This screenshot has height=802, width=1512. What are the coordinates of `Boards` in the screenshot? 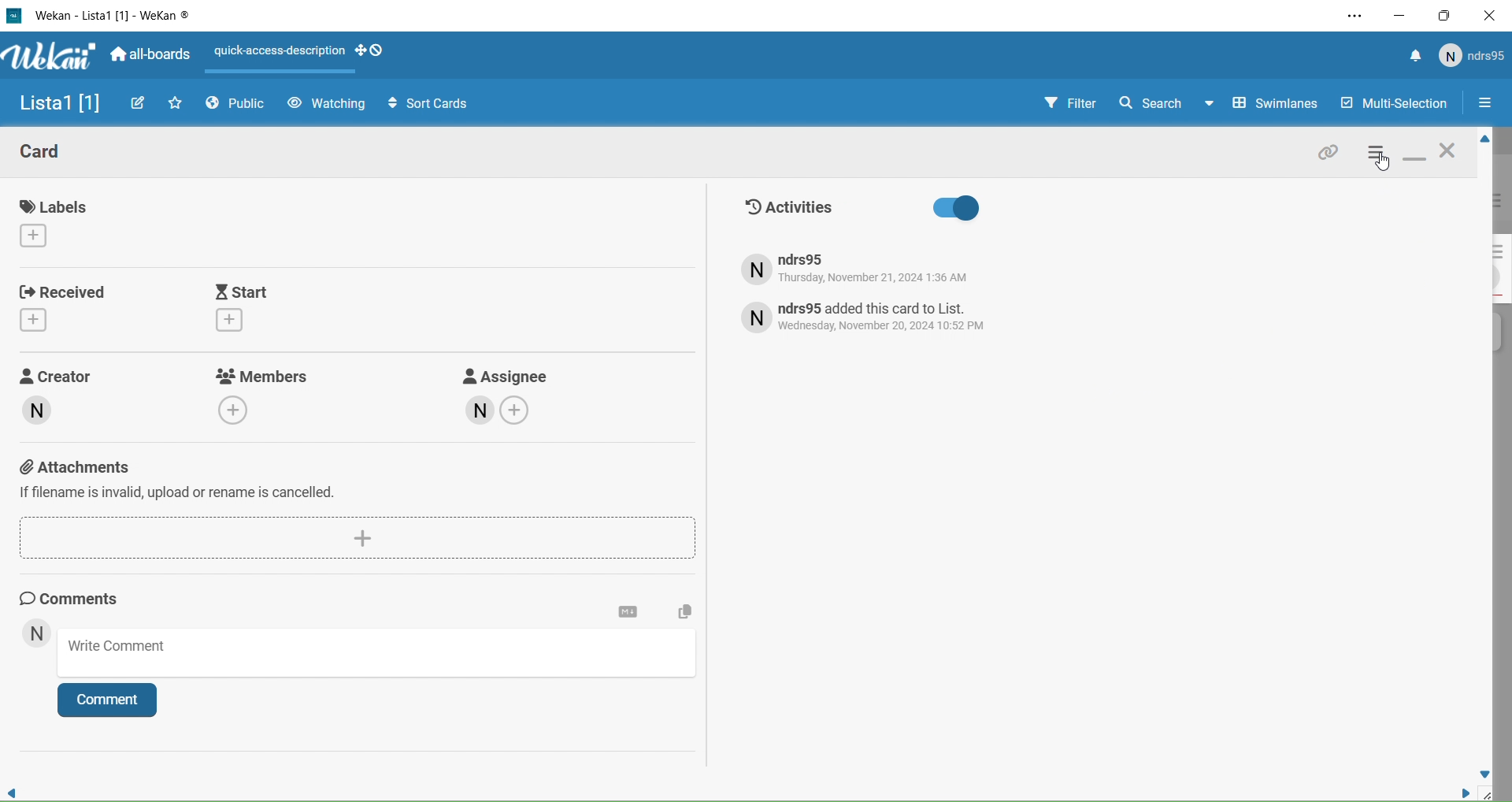 It's located at (150, 58).